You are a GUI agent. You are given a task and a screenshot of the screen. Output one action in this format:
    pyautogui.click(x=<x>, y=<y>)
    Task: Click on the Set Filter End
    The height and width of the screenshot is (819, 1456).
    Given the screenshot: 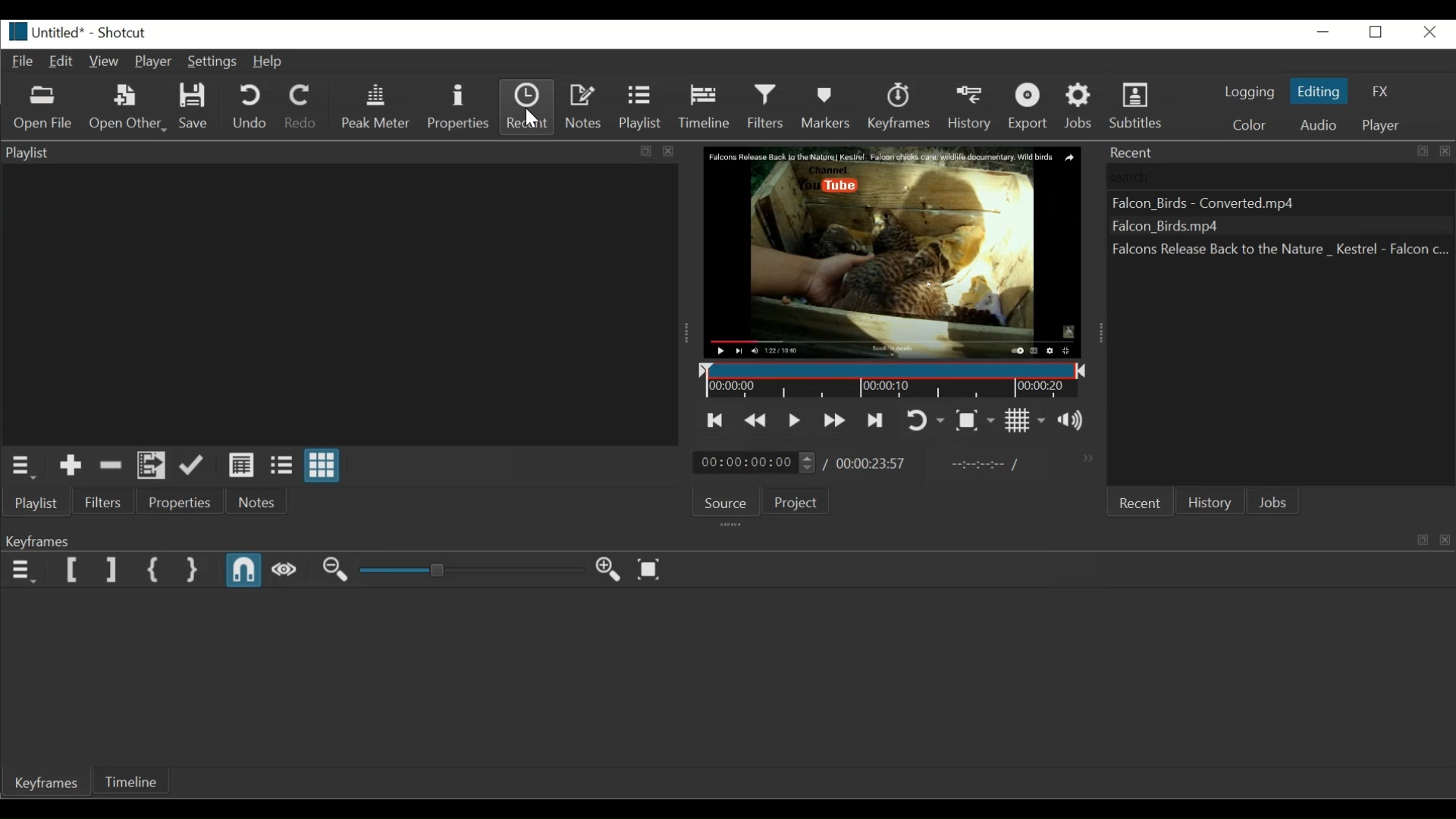 What is the action you would take?
    pyautogui.click(x=111, y=570)
    